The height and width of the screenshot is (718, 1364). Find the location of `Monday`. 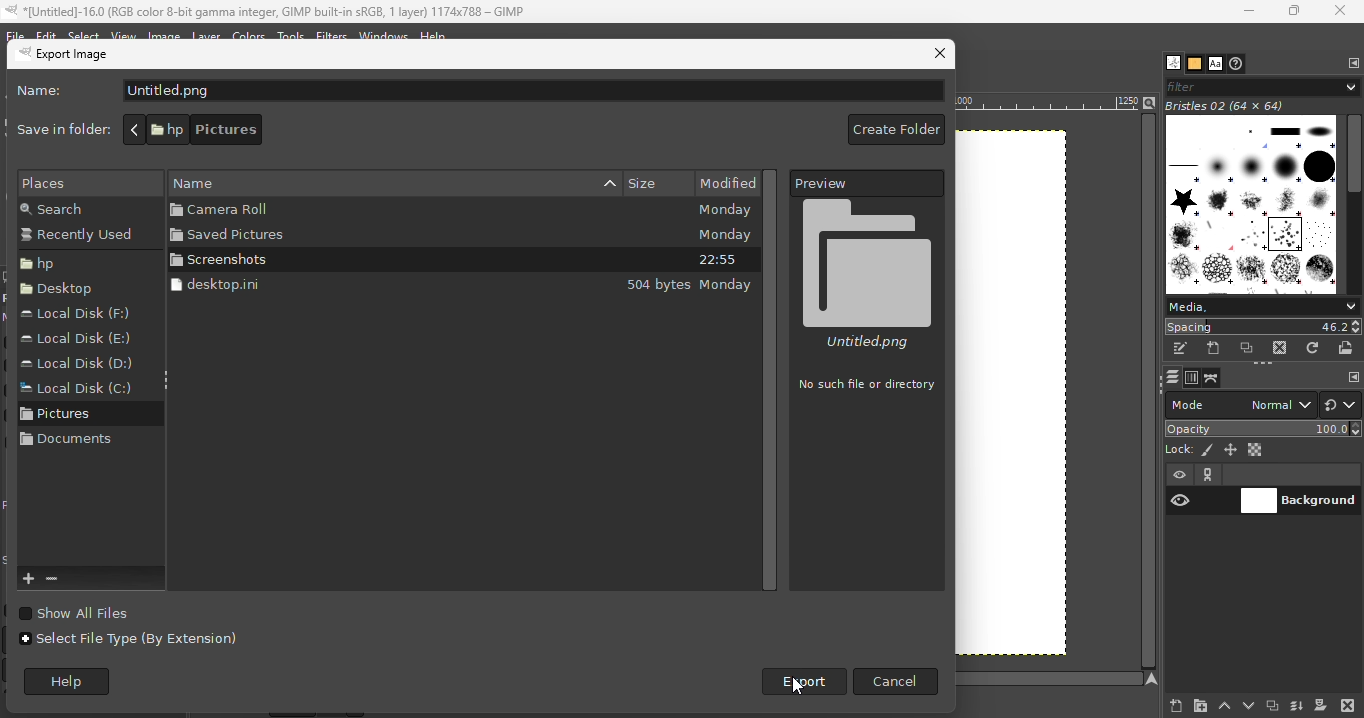

Monday is located at coordinates (724, 235).